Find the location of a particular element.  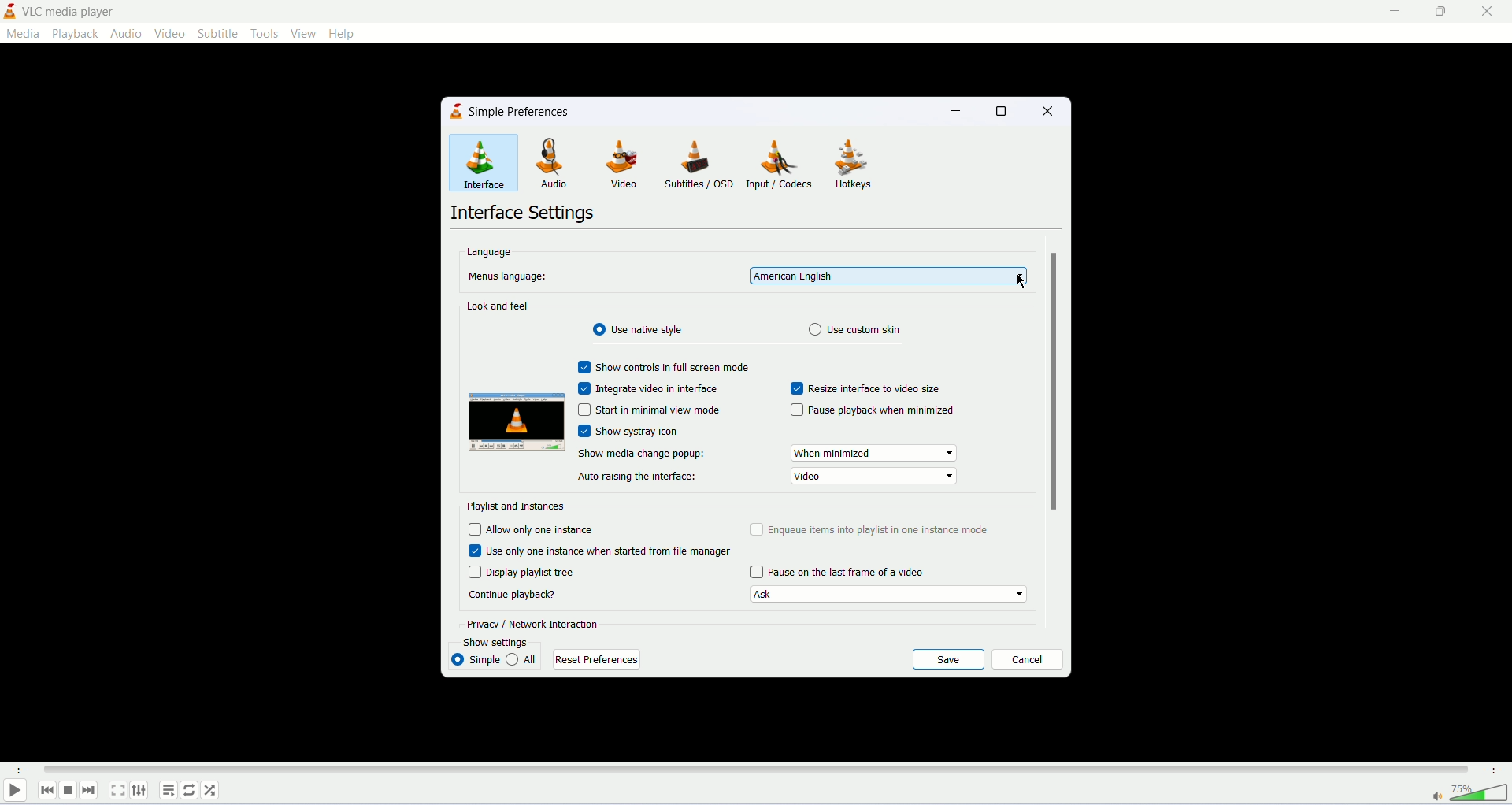

simple preferences is located at coordinates (531, 113).